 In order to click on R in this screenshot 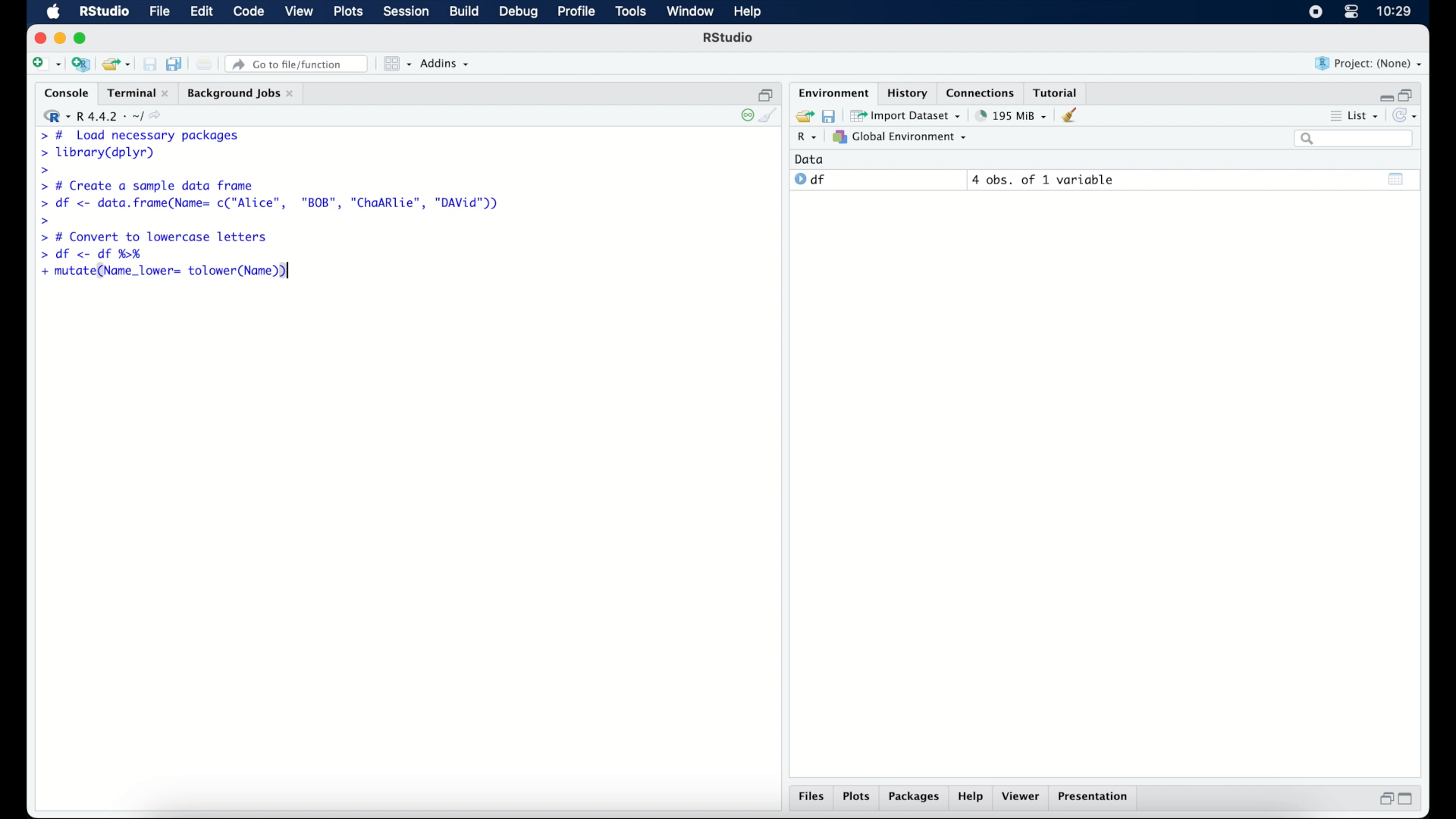, I will do `click(805, 139)`.